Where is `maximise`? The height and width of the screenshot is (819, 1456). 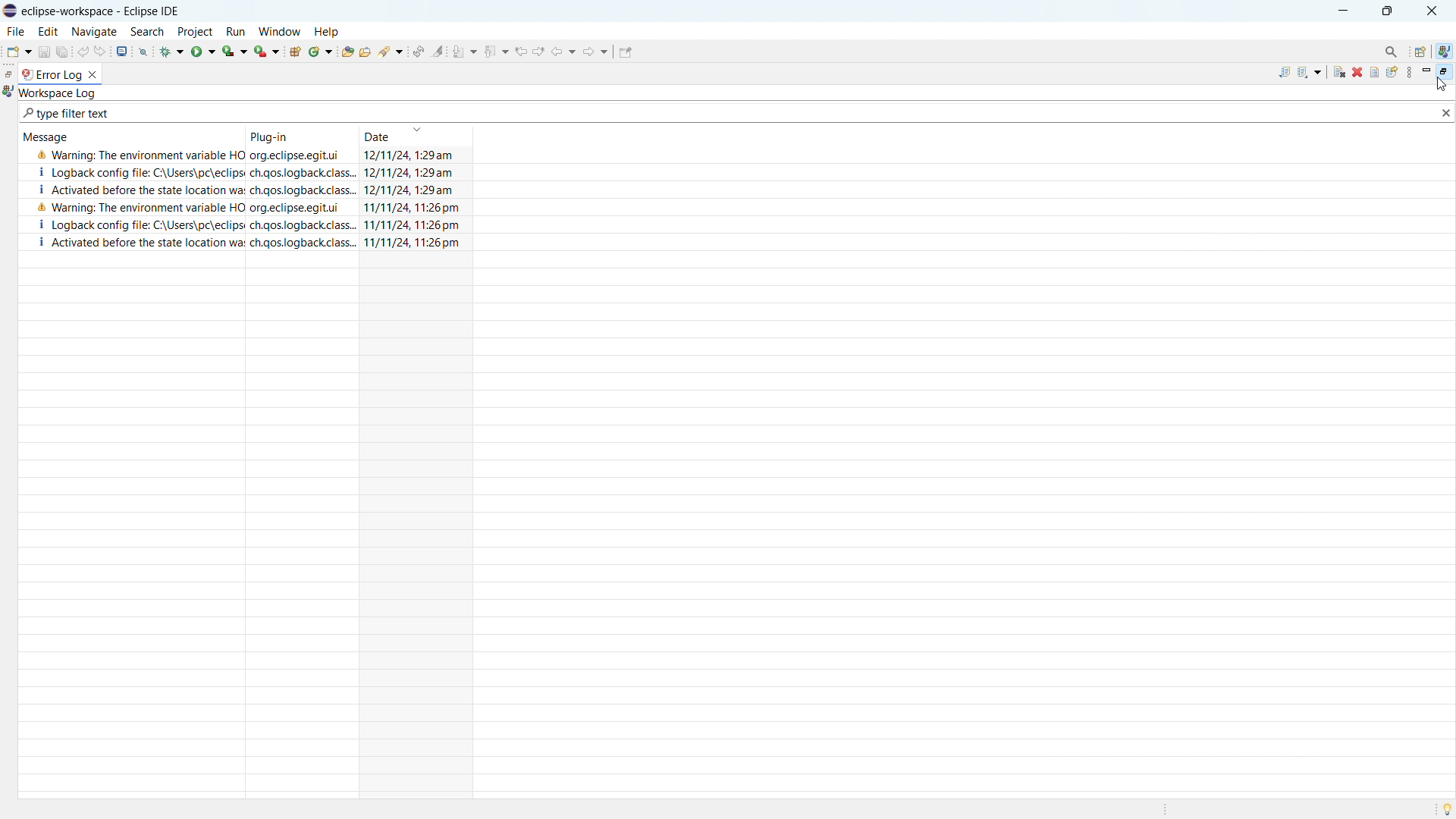
maximise is located at coordinates (1388, 11).